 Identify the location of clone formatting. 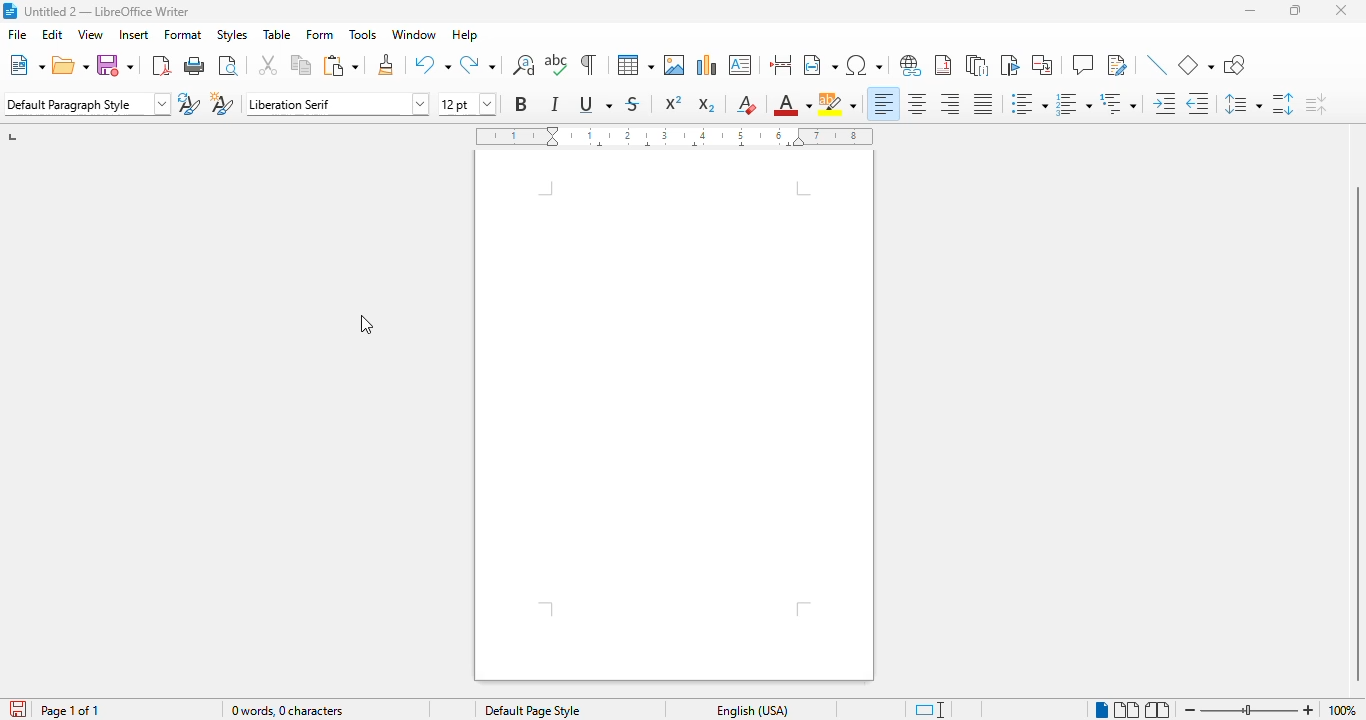
(386, 65).